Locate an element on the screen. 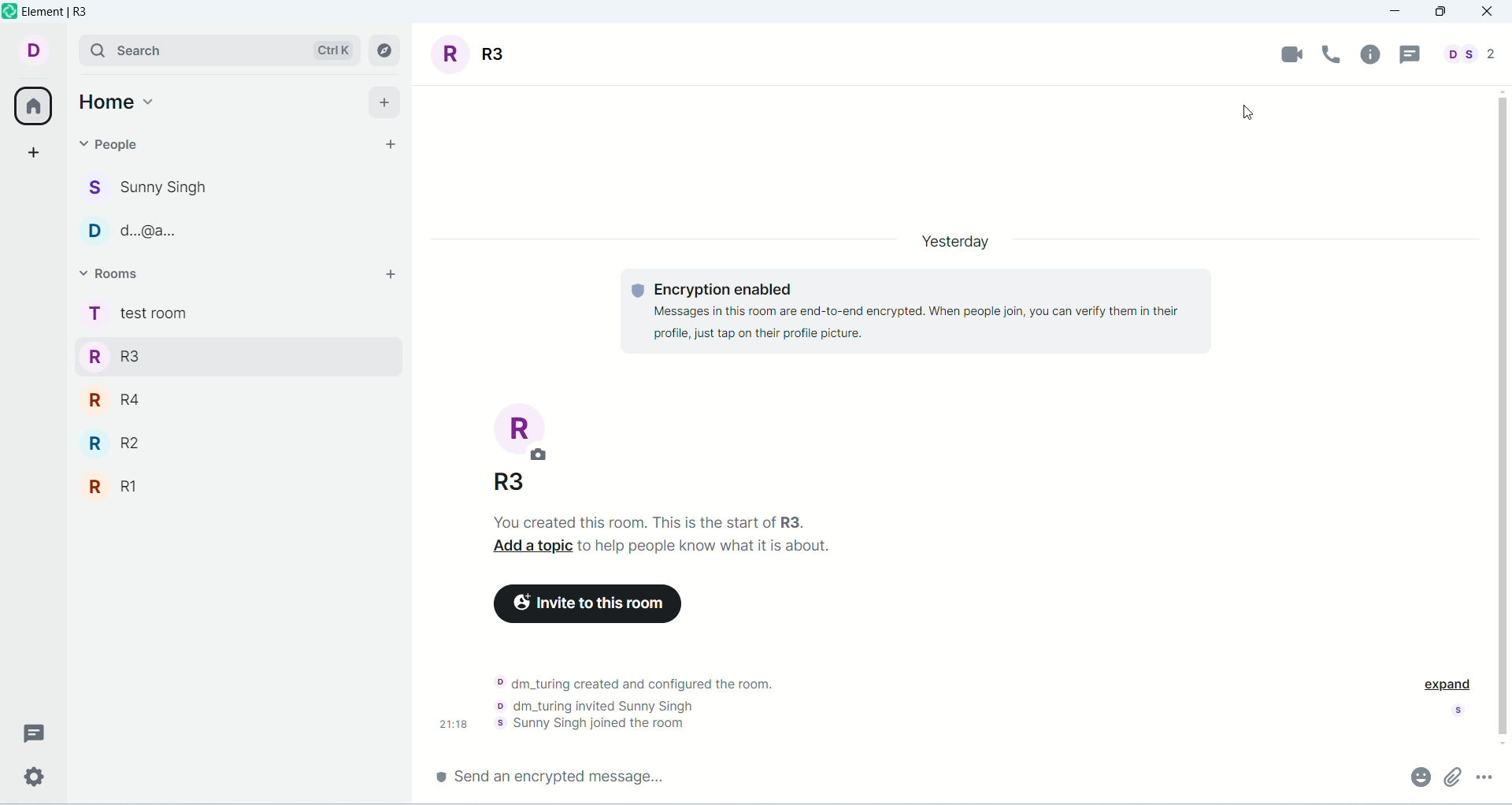  text is located at coordinates (644, 696).